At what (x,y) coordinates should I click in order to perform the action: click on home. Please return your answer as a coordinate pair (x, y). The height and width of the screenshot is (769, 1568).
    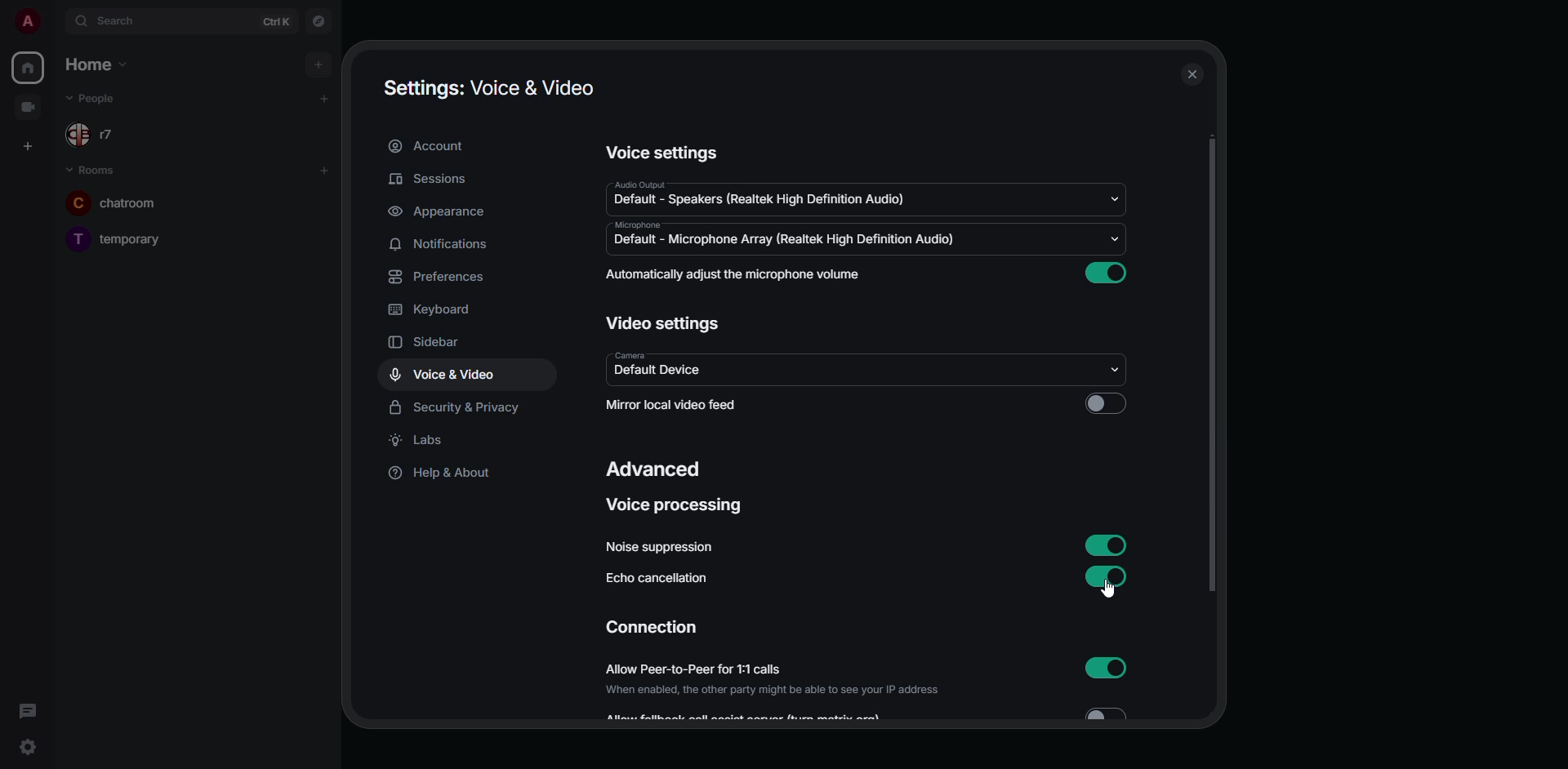
    Looking at the image, I should click on (29, 69).